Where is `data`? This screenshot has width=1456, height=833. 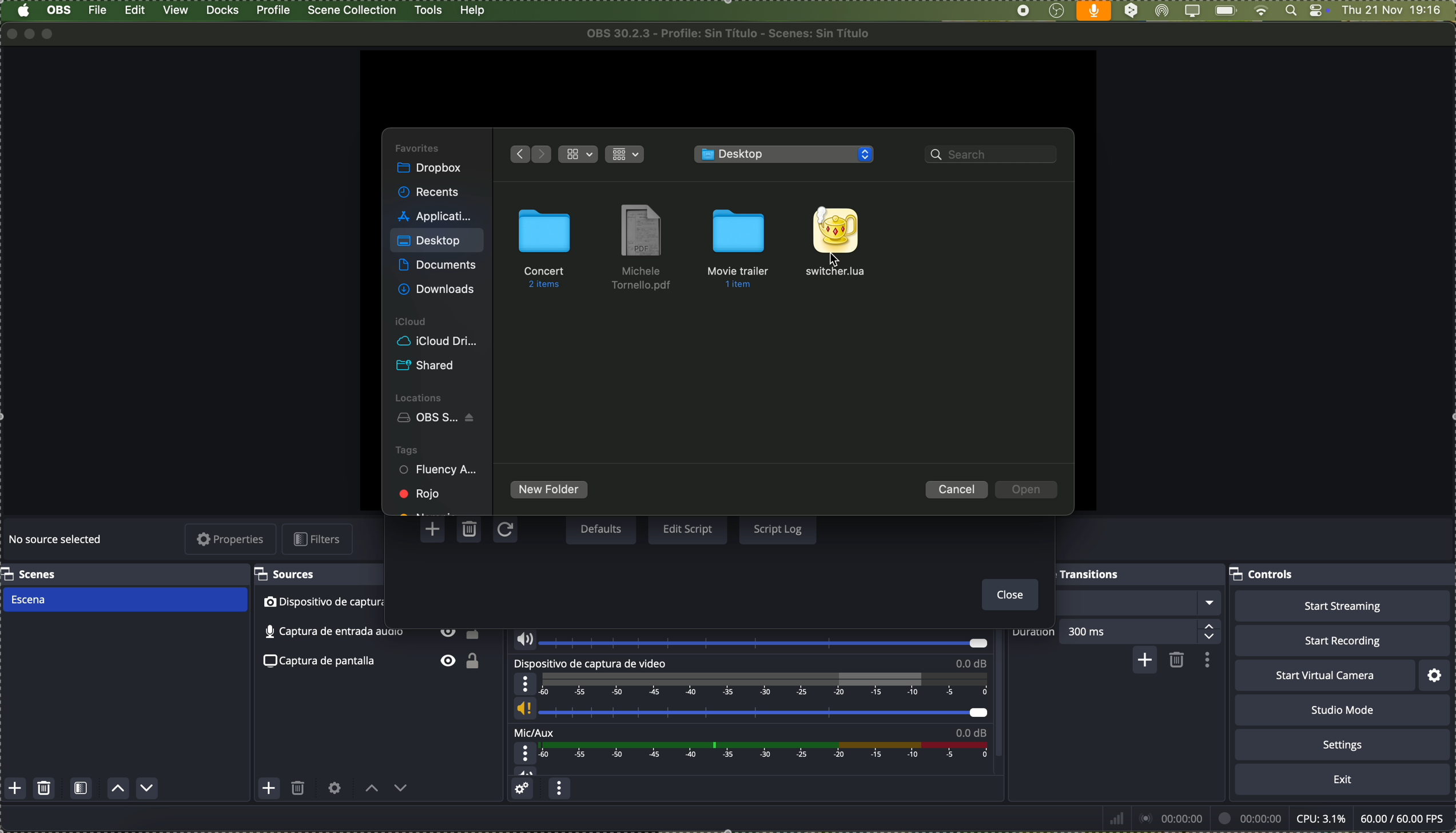
data is located at coordinates (1275, 818).